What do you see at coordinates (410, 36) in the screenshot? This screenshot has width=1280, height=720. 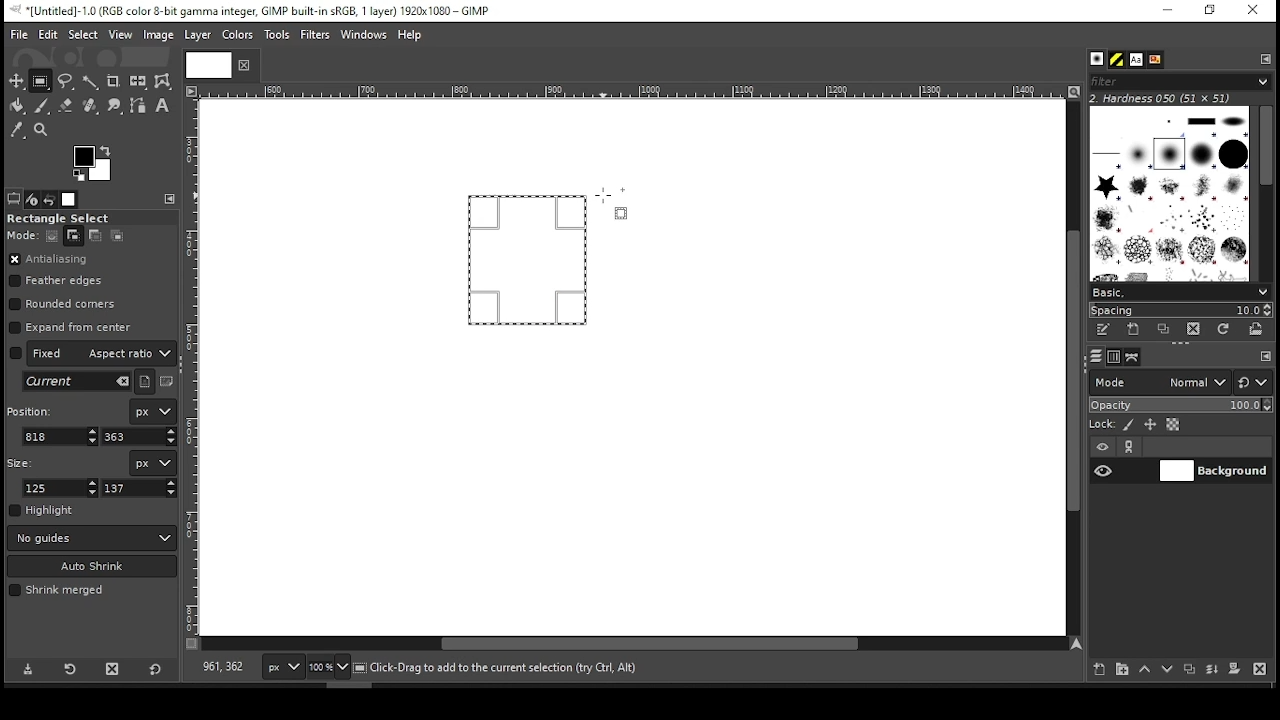 I see `help` at bounding box center [410, 36].